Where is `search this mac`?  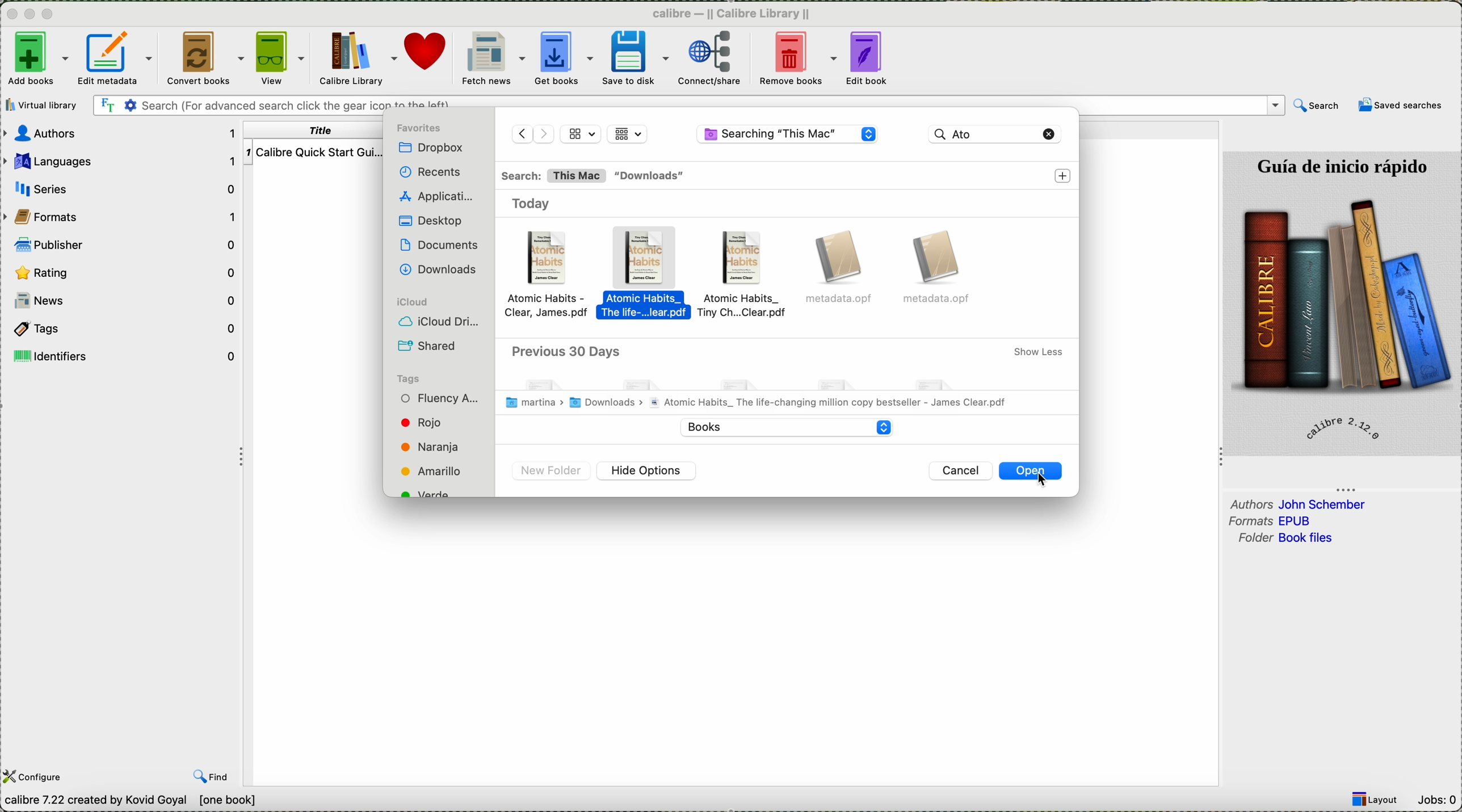
search this mac is located at coordinates (553, 176).